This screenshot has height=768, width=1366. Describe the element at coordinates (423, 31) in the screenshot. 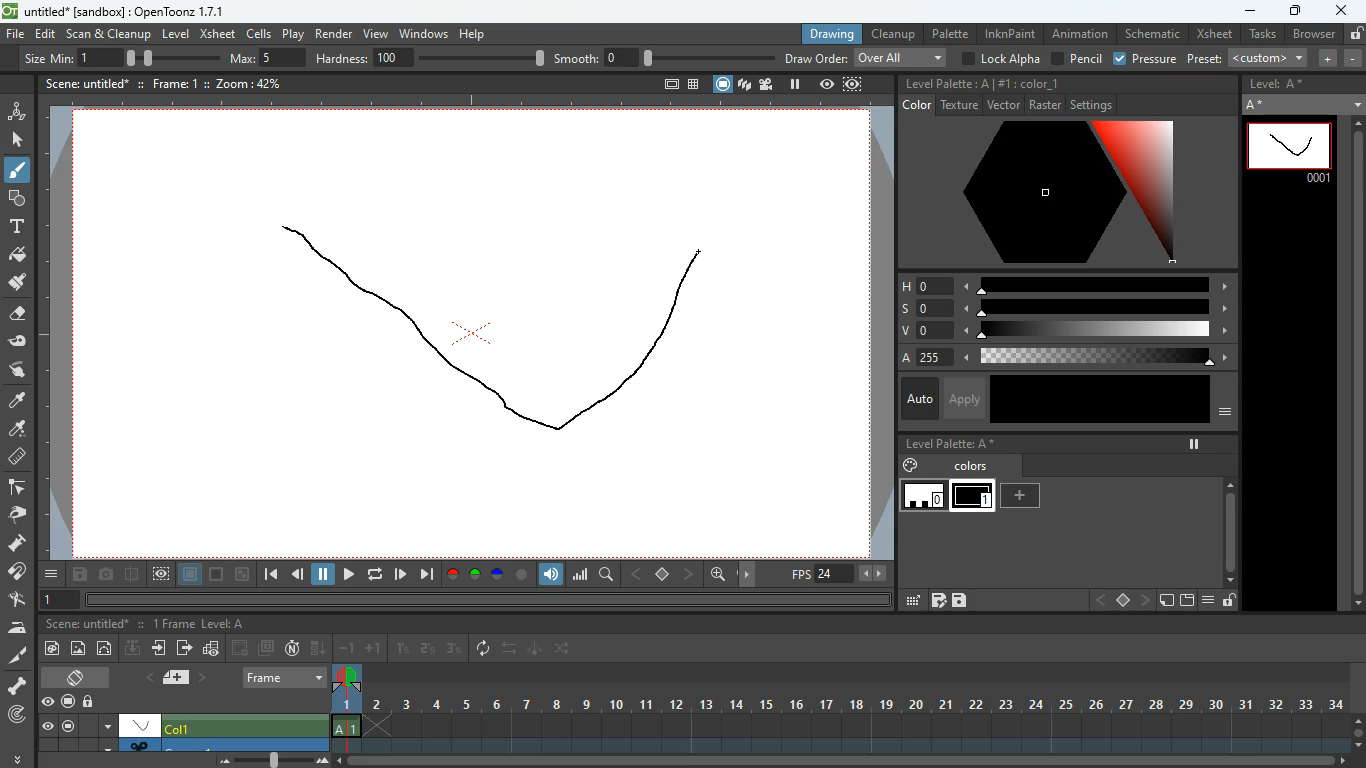

I see `windows` at that location.